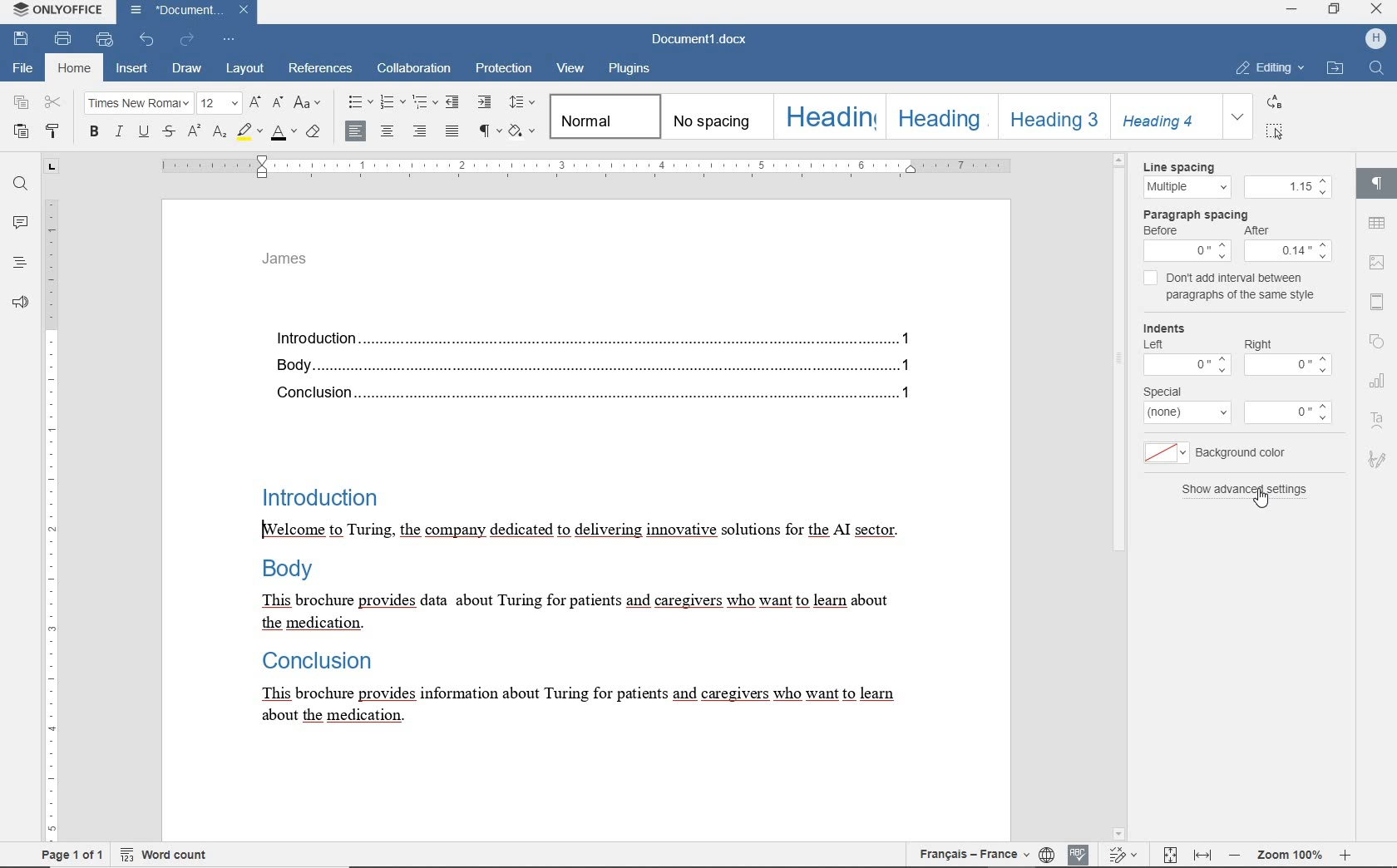 The image size is (1397, 868). I want to click on change case, so click(309, 102).